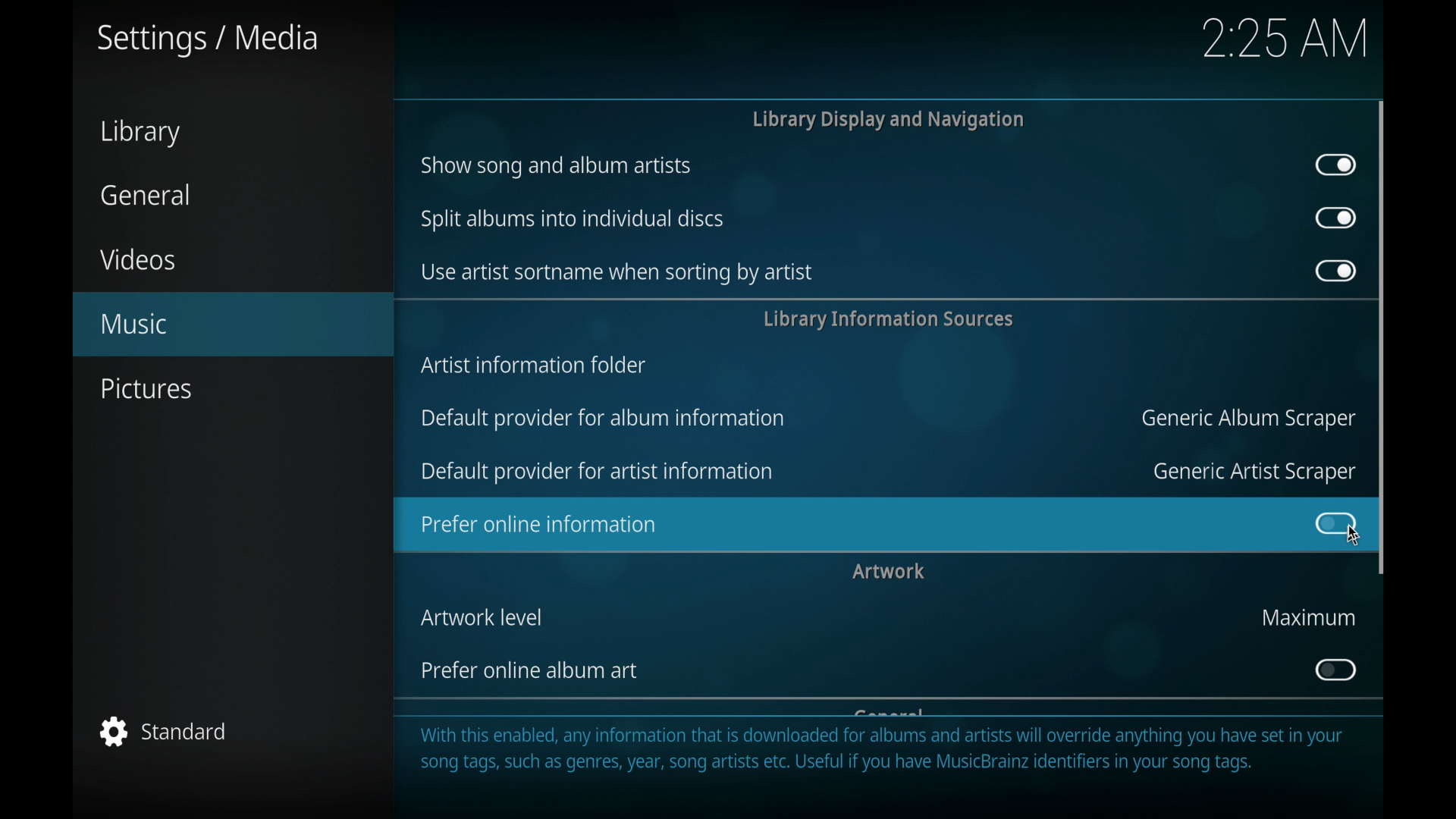 The image size is (1456, 819). What do you see at coordinates (145, 195) in the screenshot?
I see `general` at bounding box center [145, 195].